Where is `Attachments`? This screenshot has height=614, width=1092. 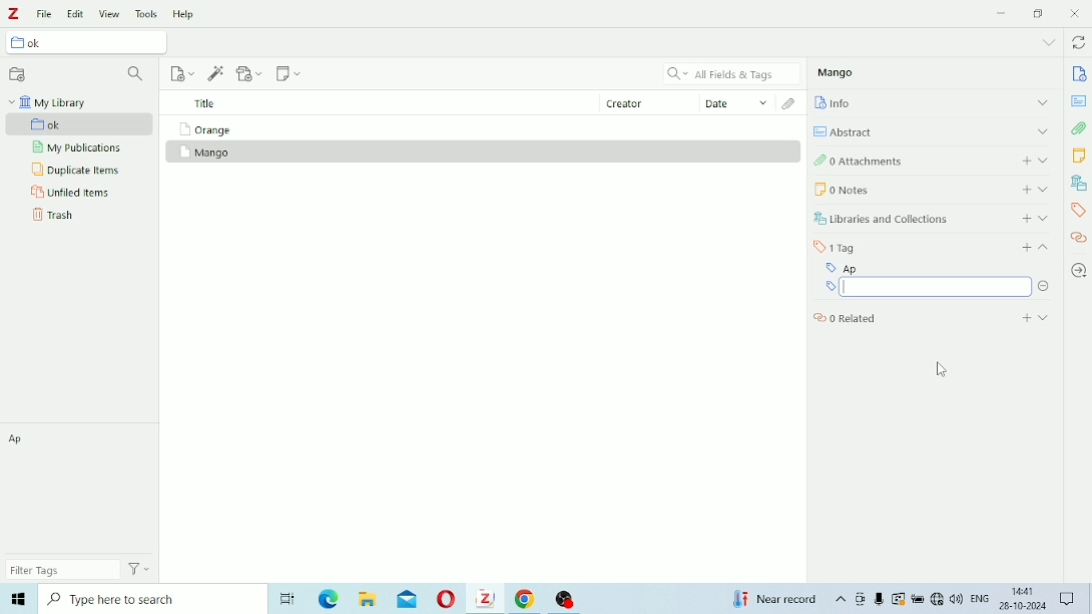
Attachments is located at coordinates (932, 159).